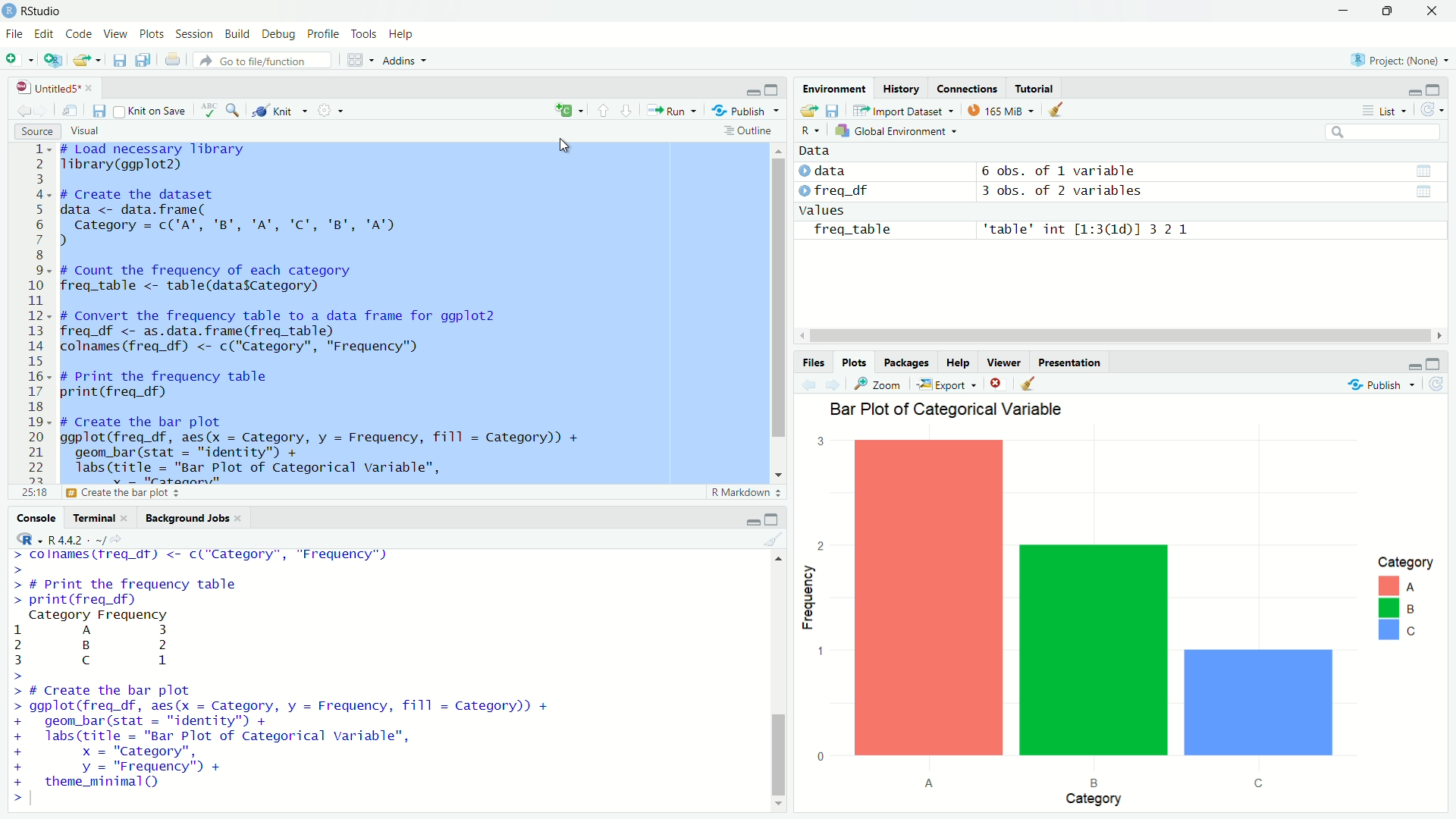 The image size is (1456, 819). What do you see at coordinates (60, 88) in the screenshot?
I see `untitled5` at bounding box center [60, 88].